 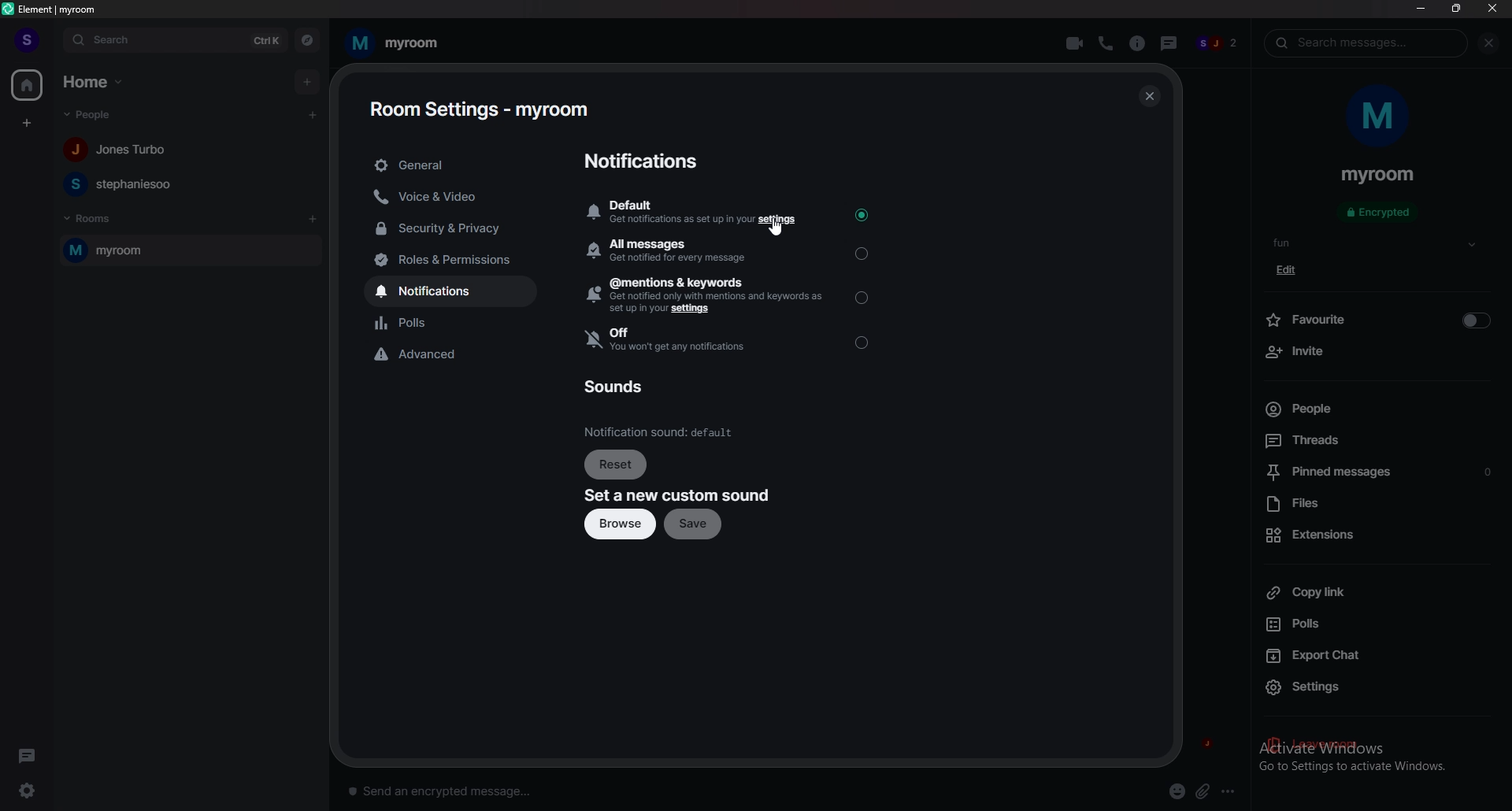 I want to click on profile, so click(x=28, y=40).